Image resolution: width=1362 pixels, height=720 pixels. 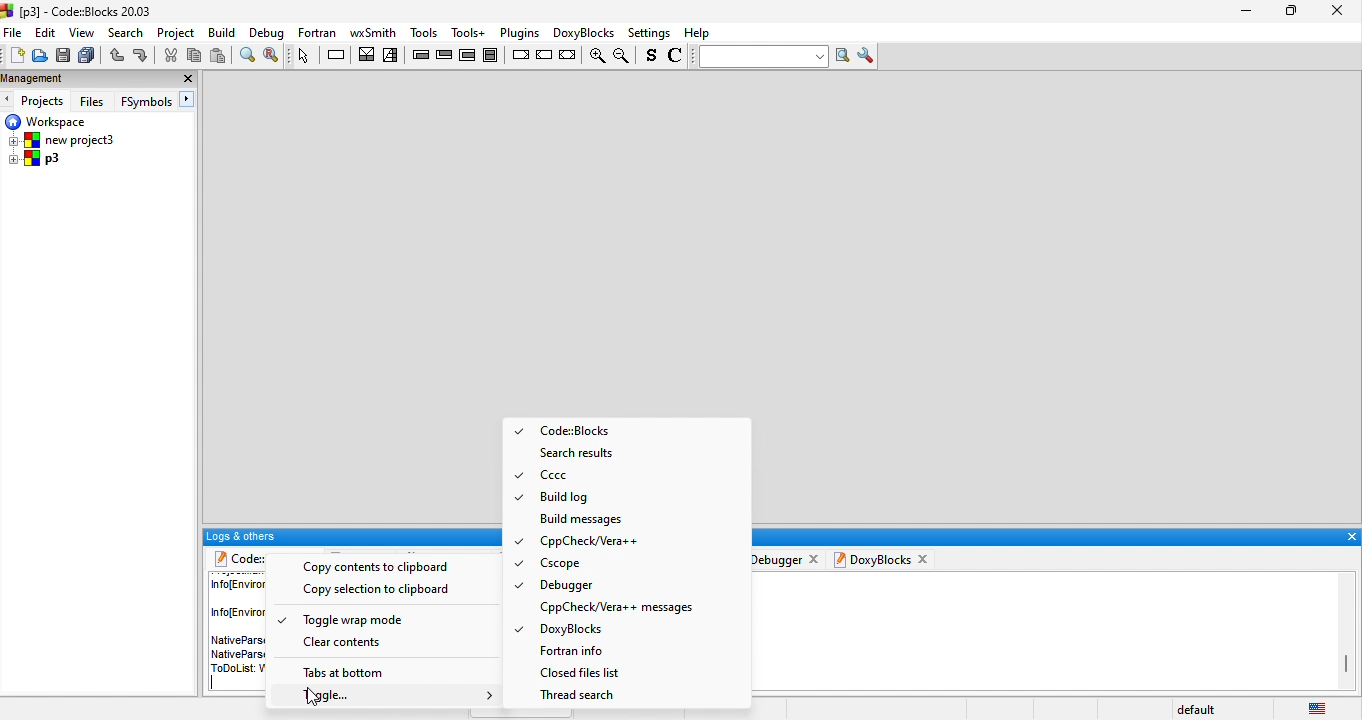 I want to click on search, so click(x=128, y=33).